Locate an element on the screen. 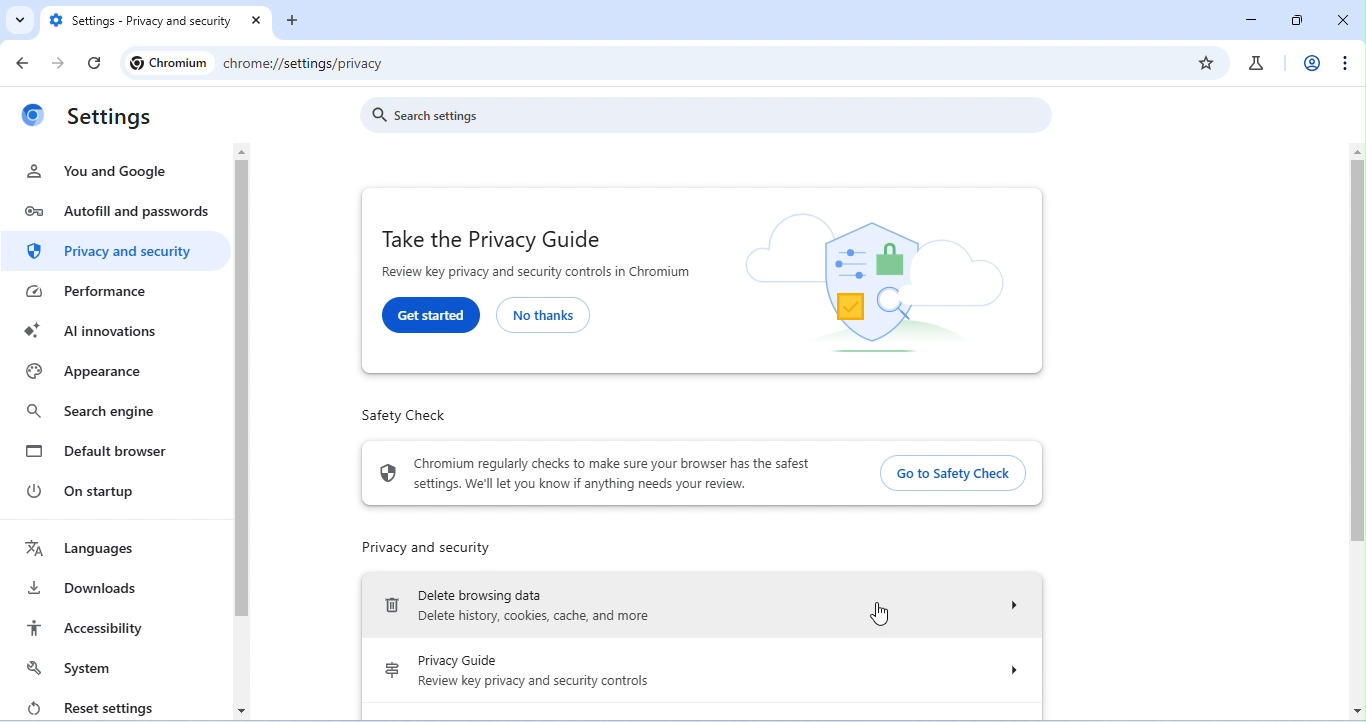  on startup is located at coordinates (92, 491).